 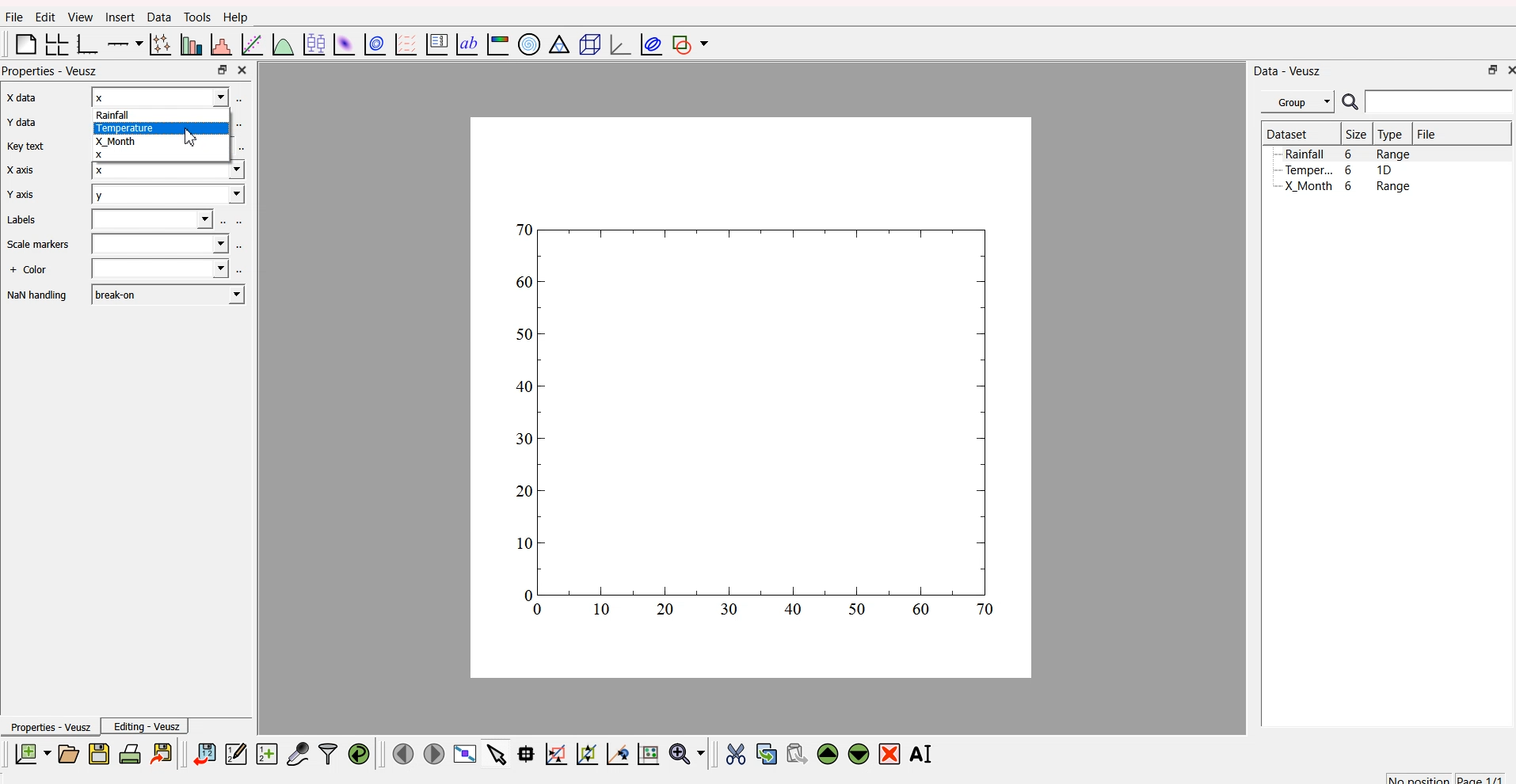 What do you see at coordinates (154, 220) in the screenshot?
I see `field` at bounding box center [154, 220].